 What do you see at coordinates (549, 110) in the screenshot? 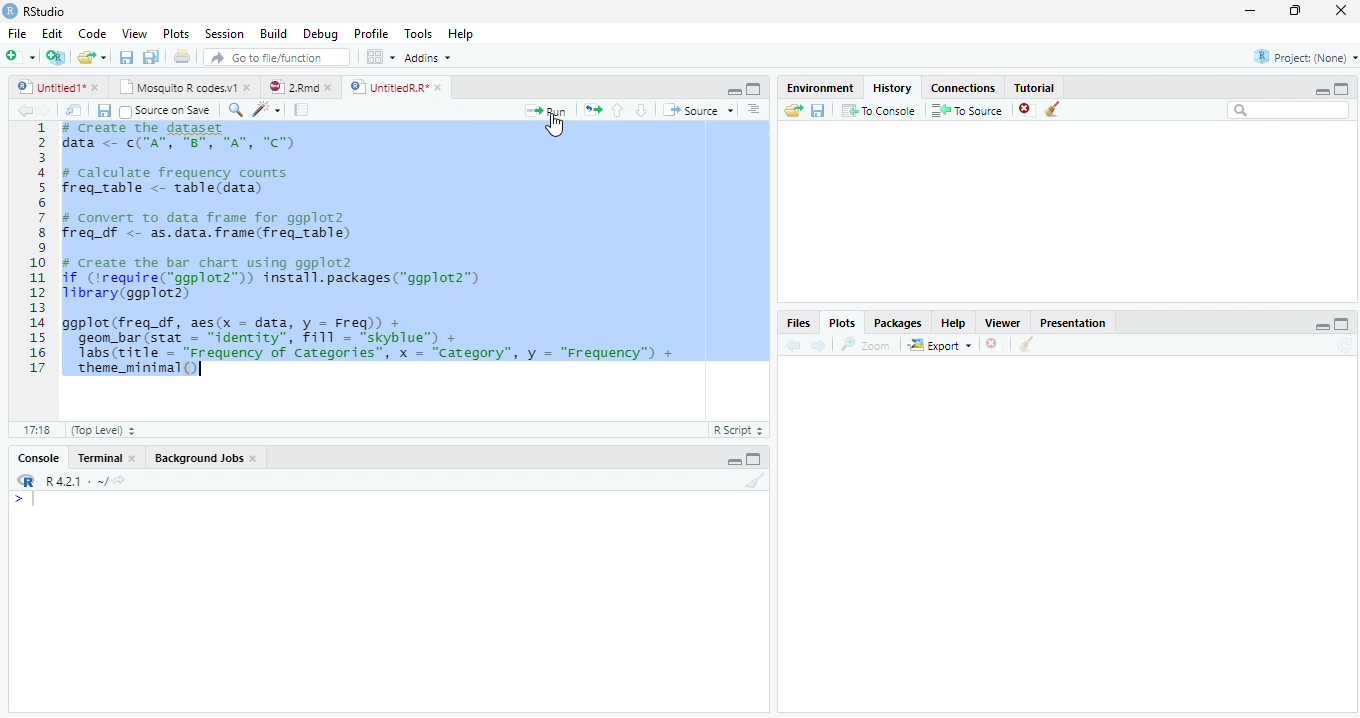
I see `Run` at bounding box center [549, 110].